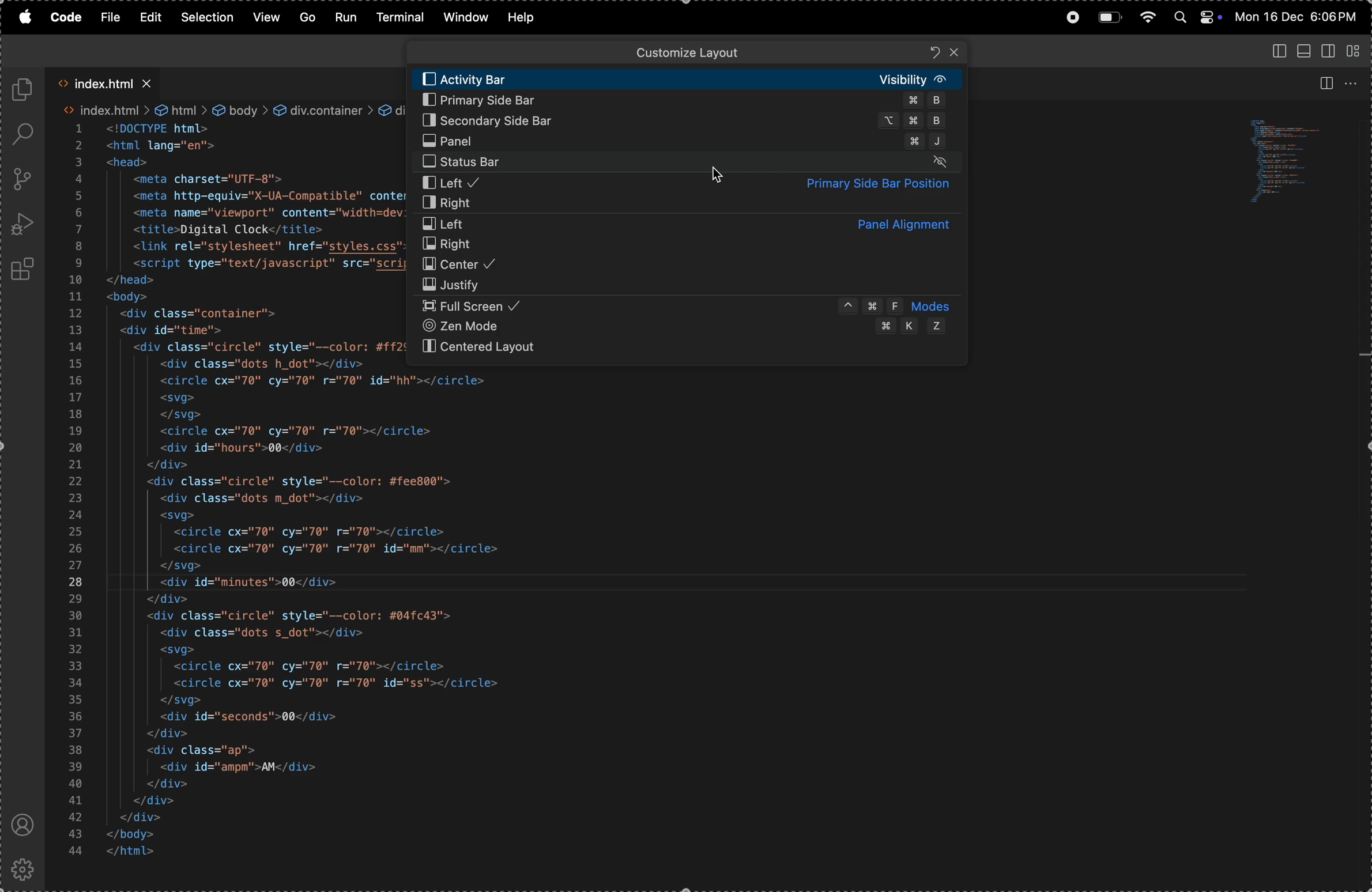  What do you see at coordinates (691, 223) in the screenshot?
I see `left` at bounding box center [691, 223].